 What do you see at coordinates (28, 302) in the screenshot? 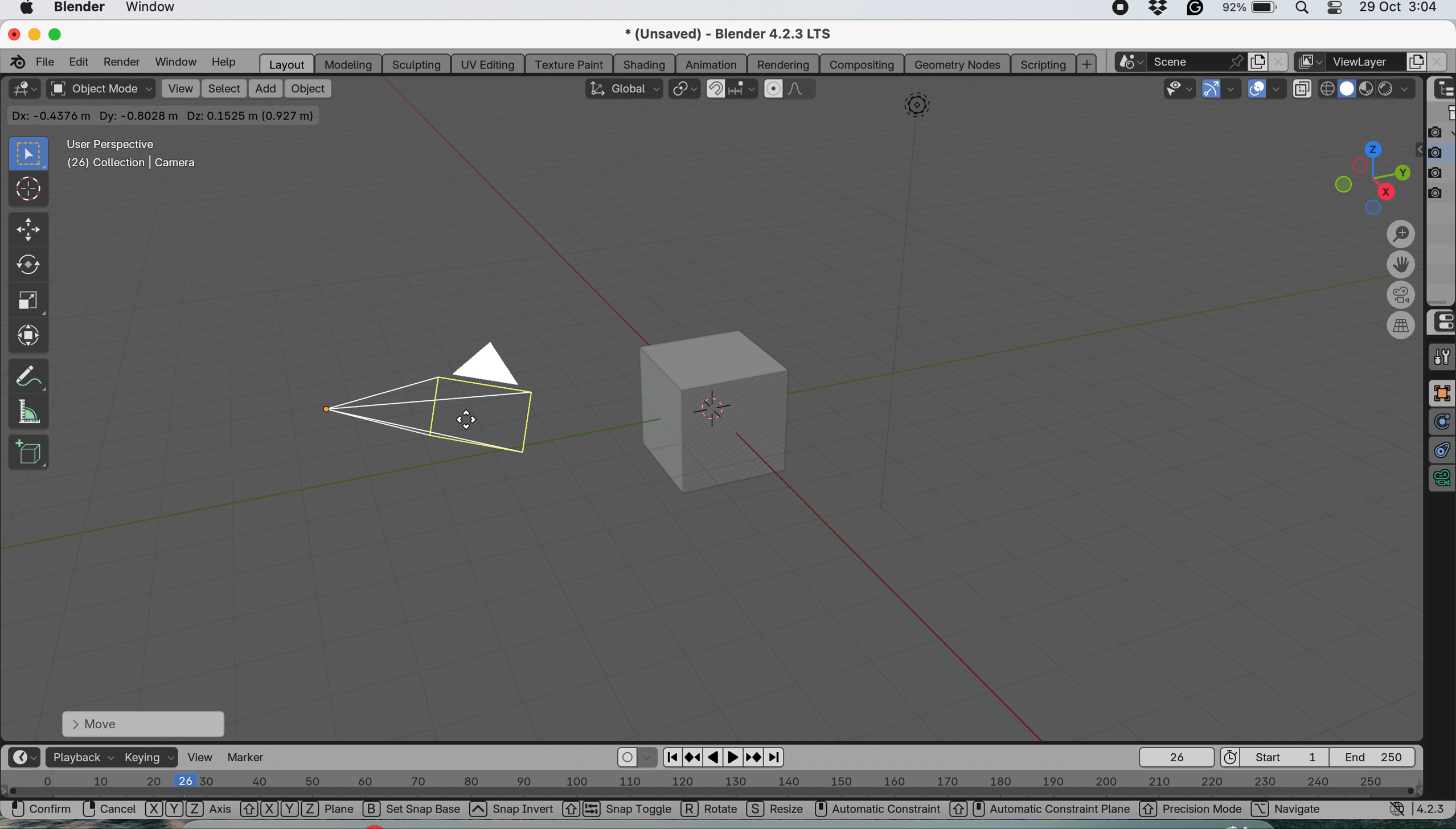
I see `scale` at bounding box center [28, 302].